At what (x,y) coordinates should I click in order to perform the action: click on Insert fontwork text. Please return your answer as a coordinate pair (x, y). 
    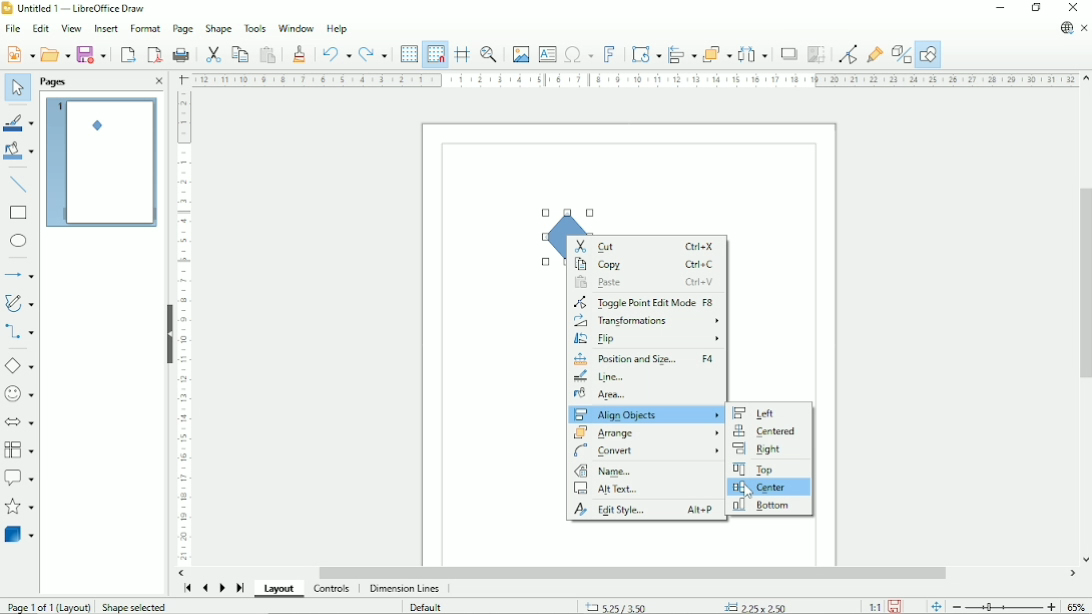
    Looking at the image, I should click on (612, 54).